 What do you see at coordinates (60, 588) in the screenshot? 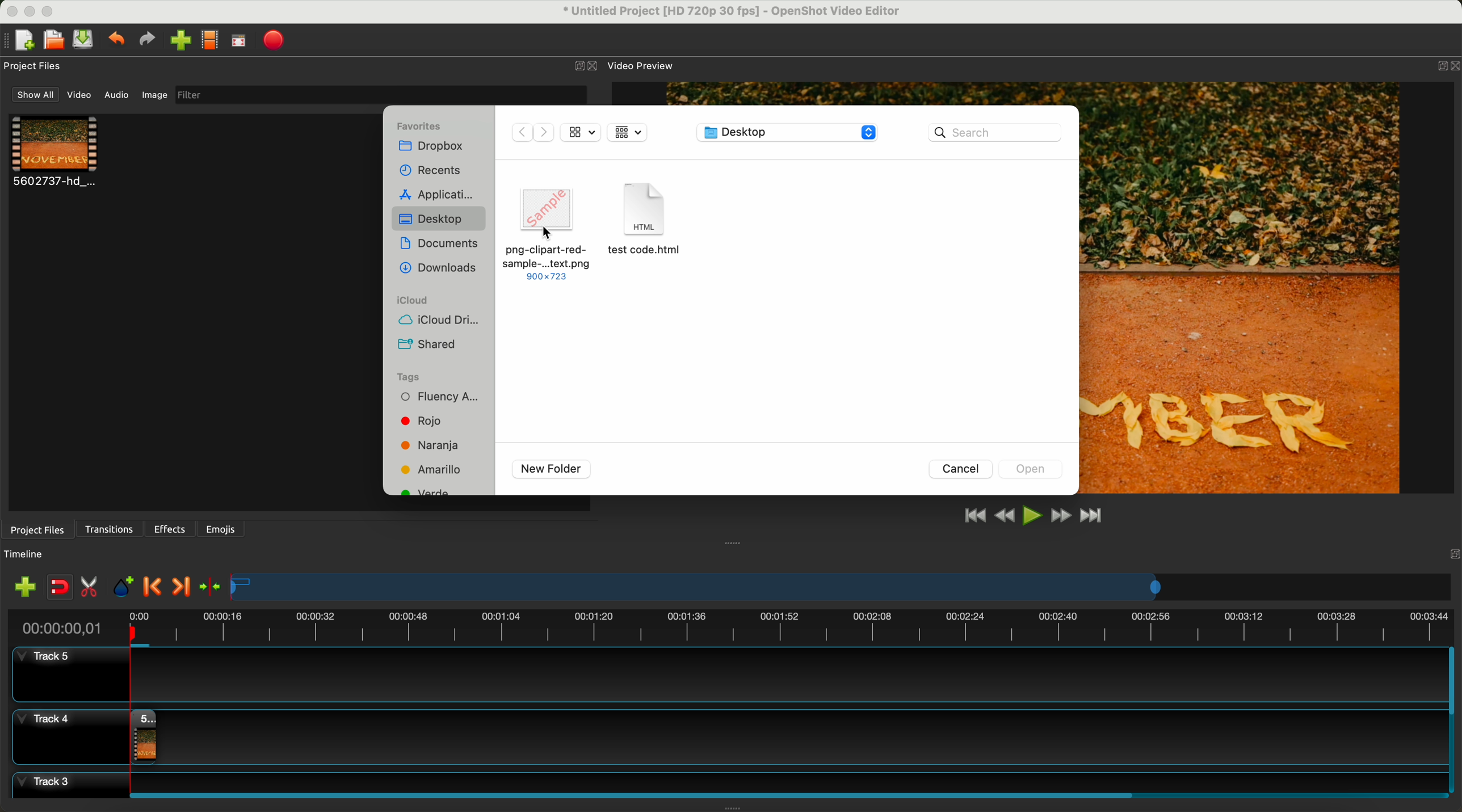
I see `disable snapping` at bounding box center [60, 588].